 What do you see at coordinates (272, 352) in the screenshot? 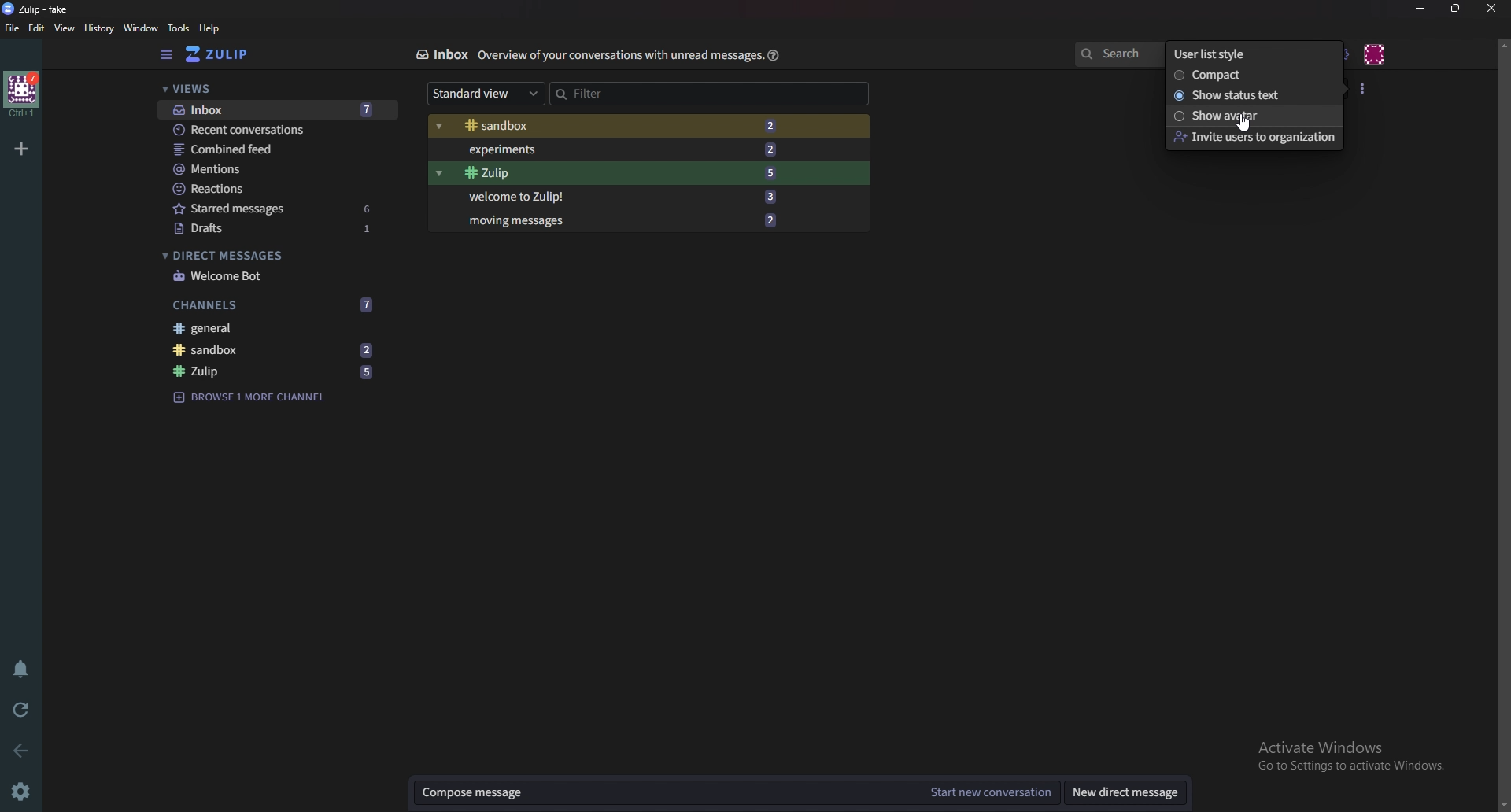
I see `Sandbox` at bounding box center [272, 352].